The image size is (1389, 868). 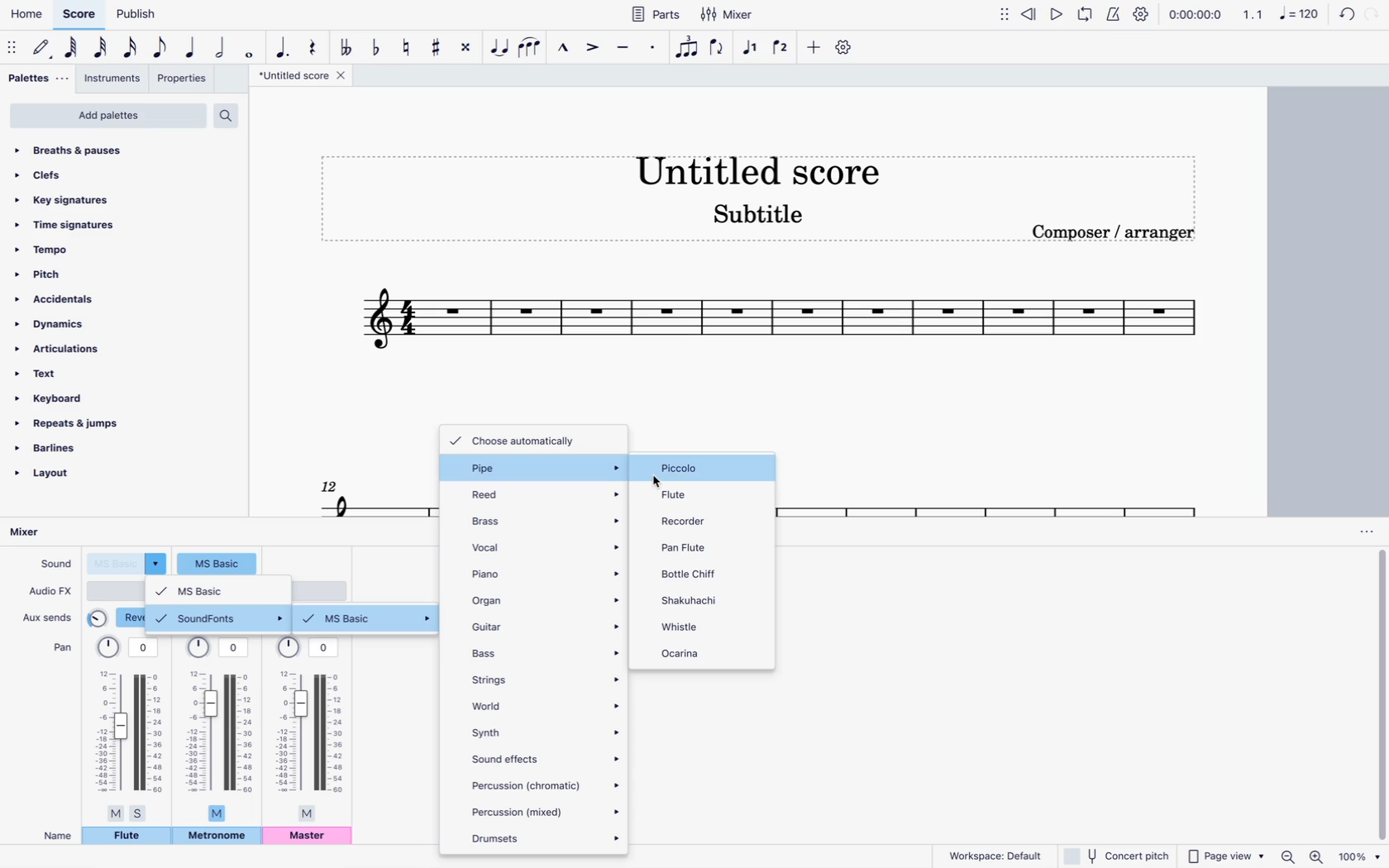 I want to click on more, so click(x=811, y=46).